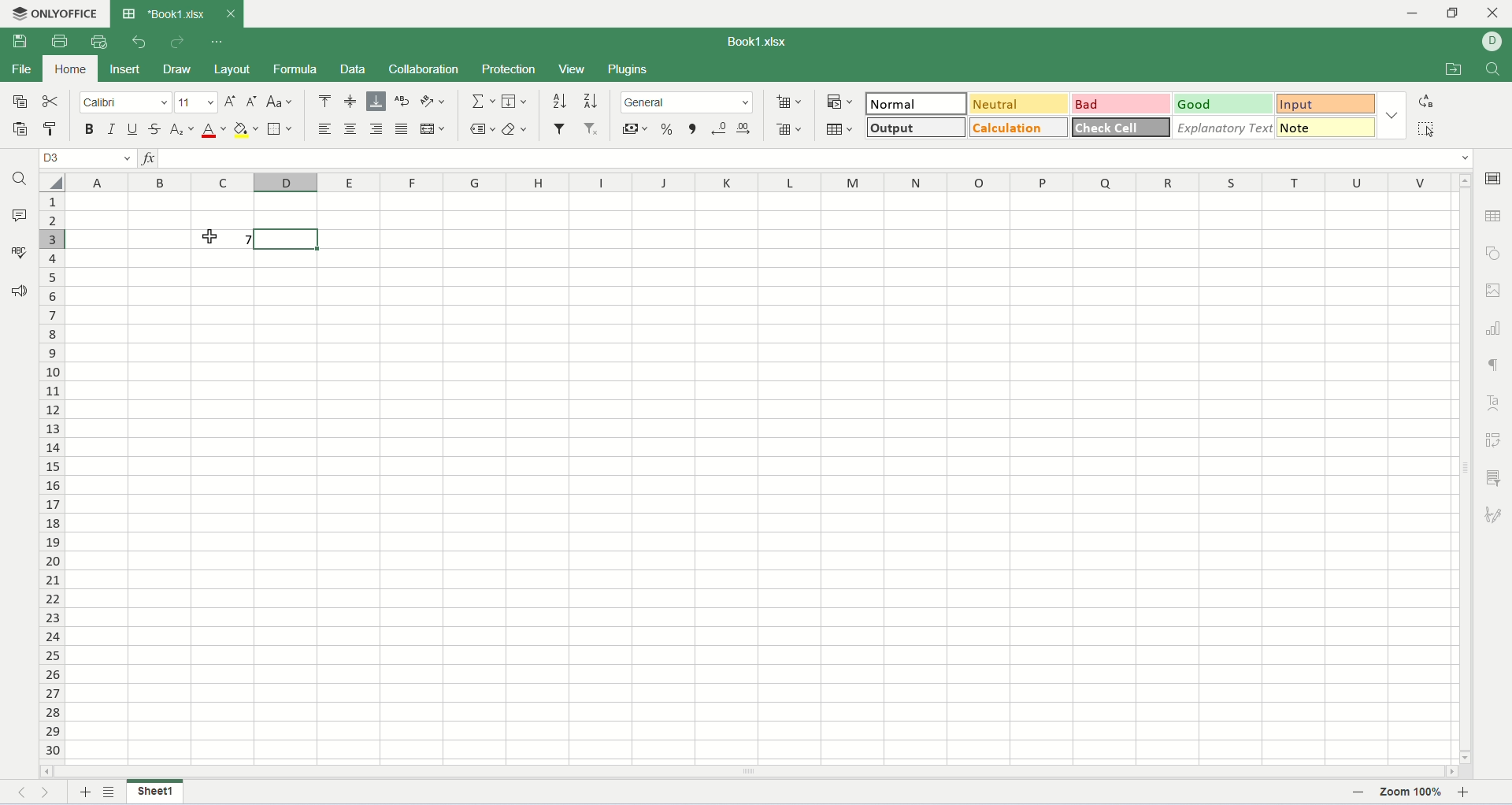  I want to click on protection, so click(510, 68).